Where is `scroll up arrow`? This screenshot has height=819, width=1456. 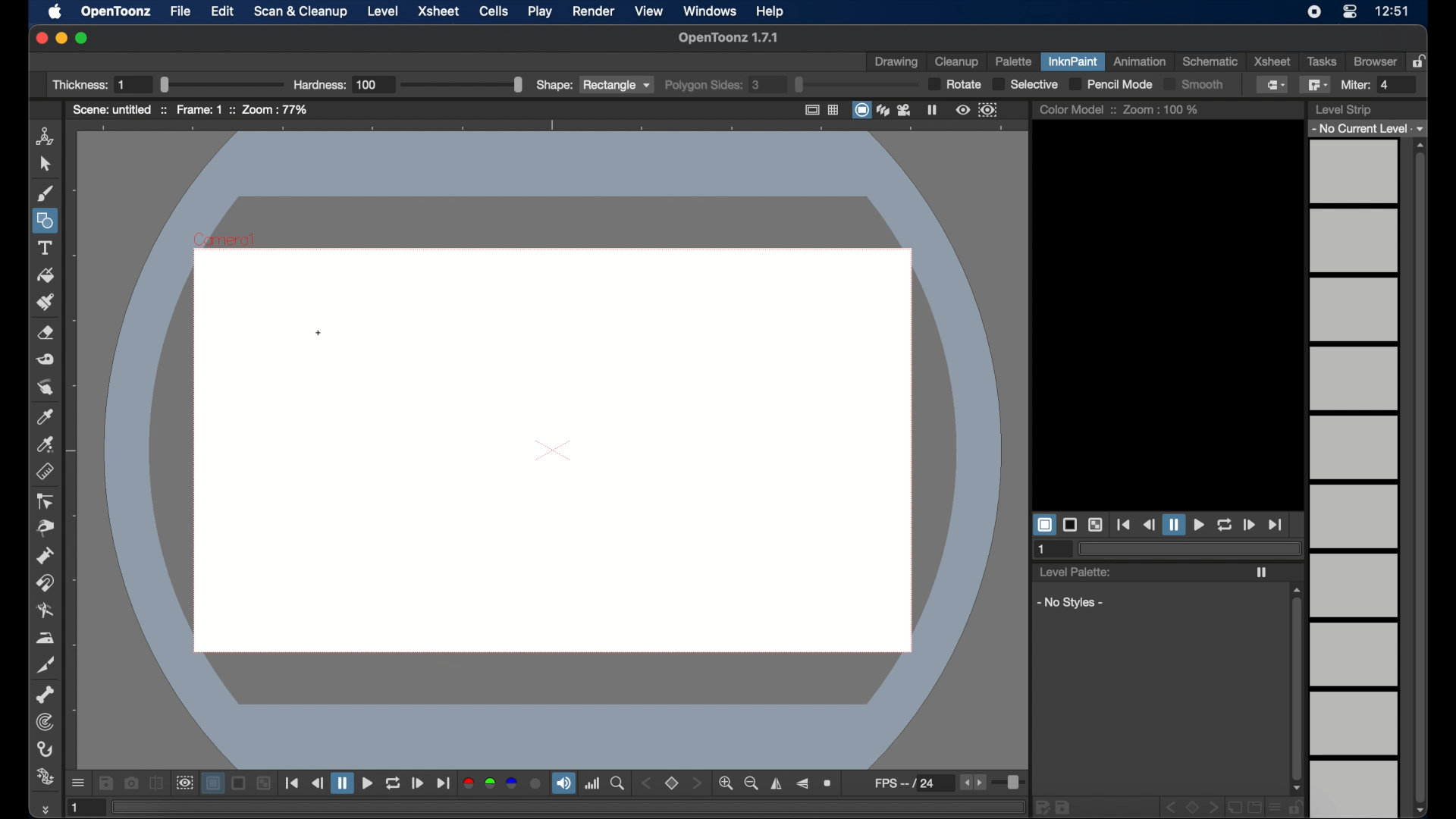
scroll up arrow is located at coordinates (1420, 145).